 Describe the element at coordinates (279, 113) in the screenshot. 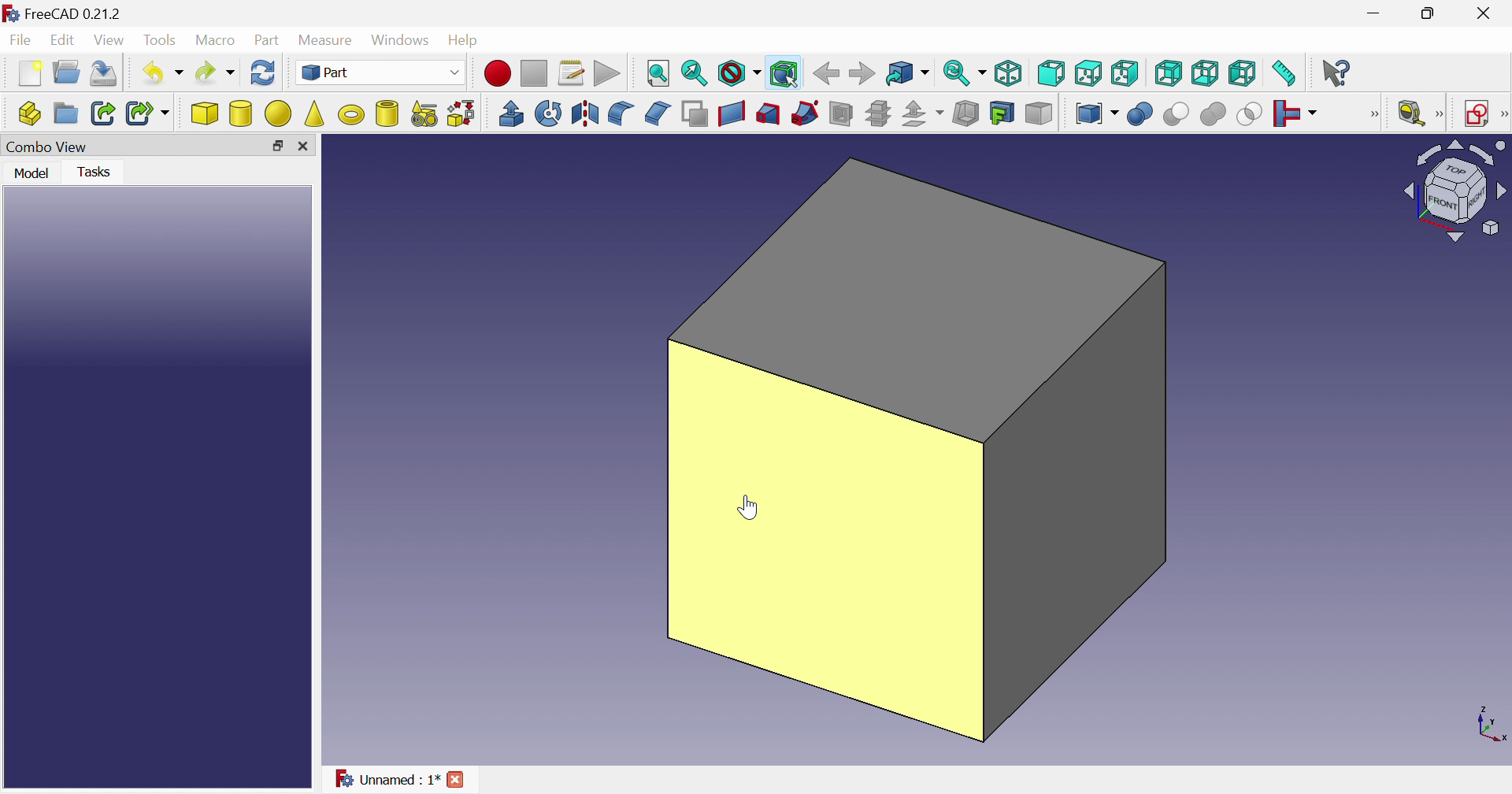

I see `Sphere` at that location.